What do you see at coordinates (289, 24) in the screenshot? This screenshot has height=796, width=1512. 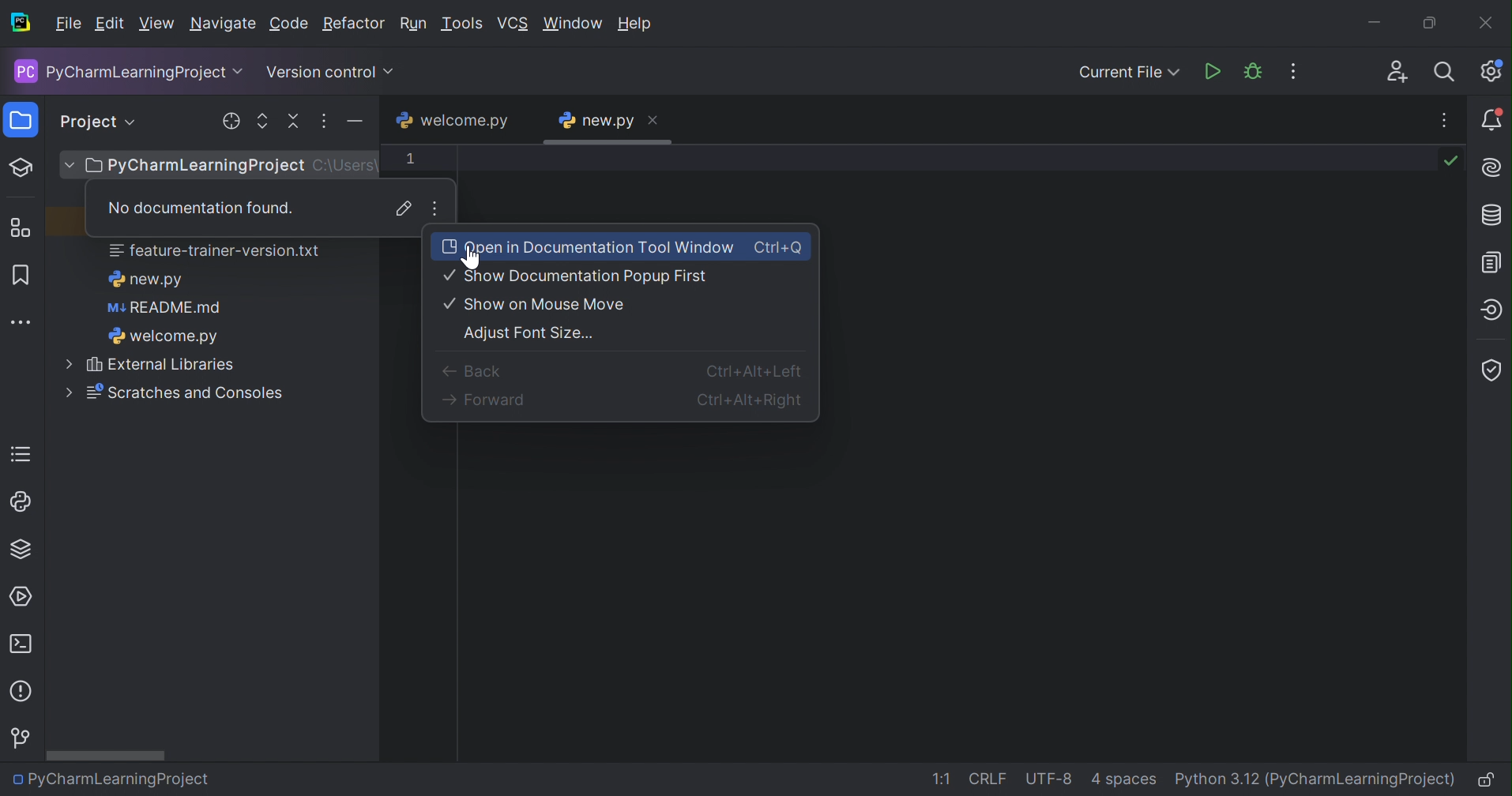 I see `Code` at bounding box center [289, 24].